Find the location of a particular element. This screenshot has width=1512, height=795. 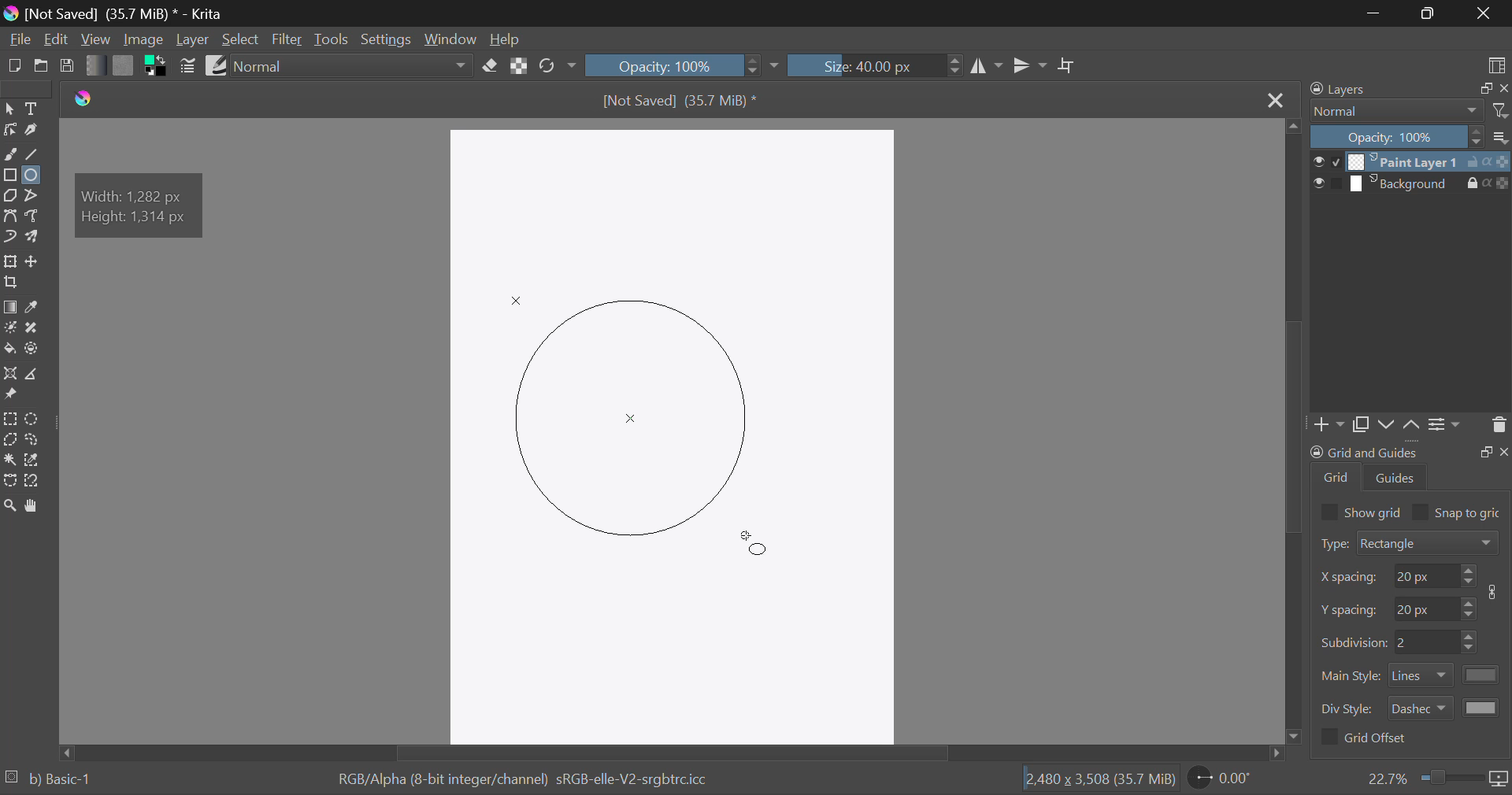

Rectangular Selection is located at coordinates (9, 419).